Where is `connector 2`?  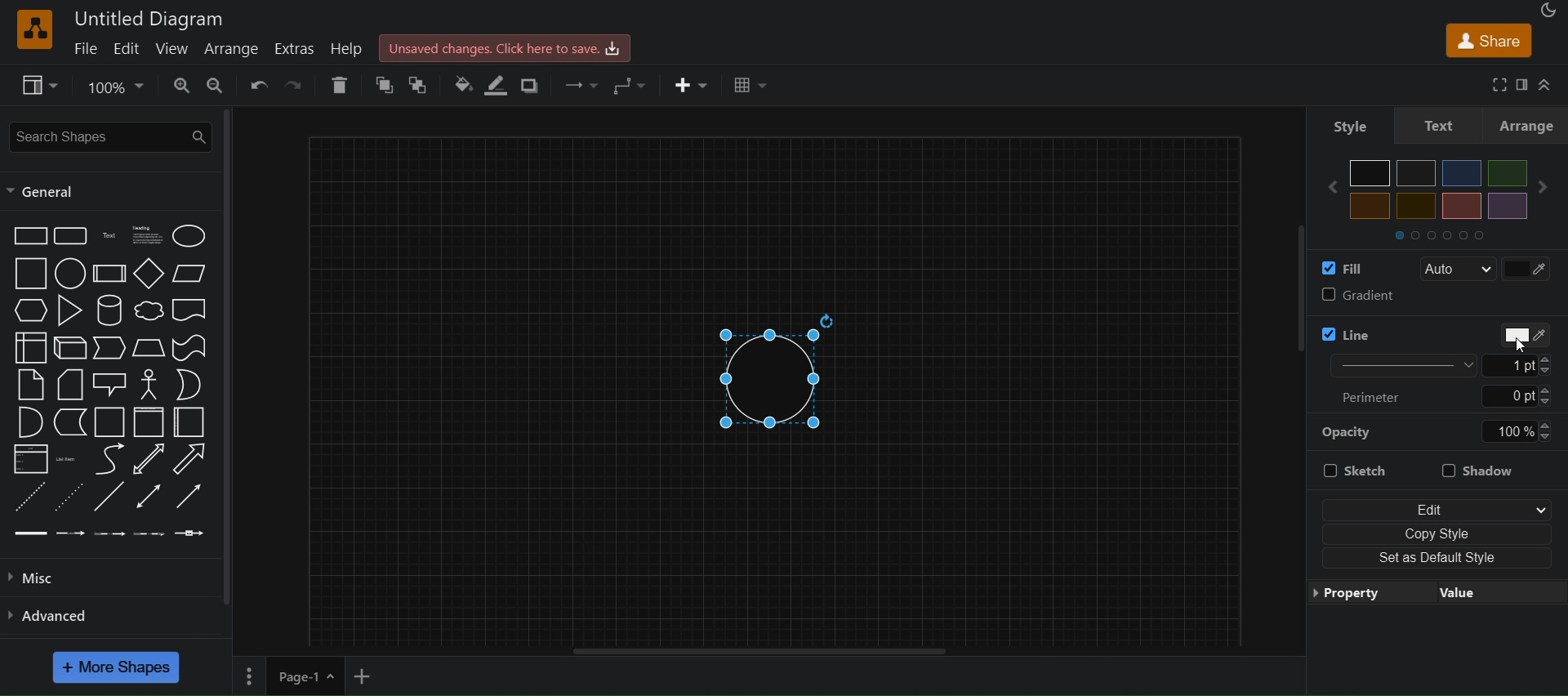
connector 2 is located at coordinates (71, 533).